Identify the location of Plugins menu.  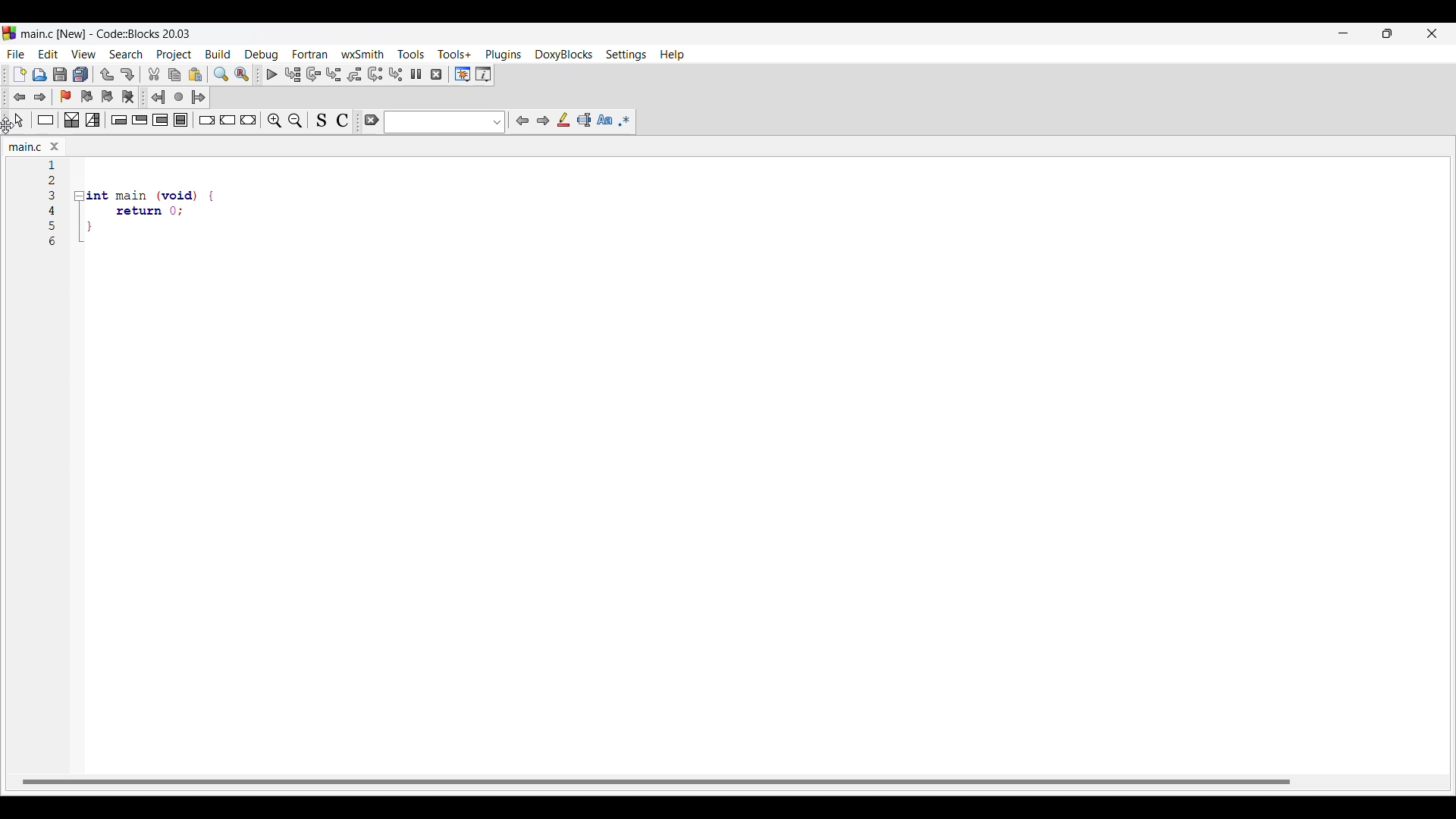
(503, 55).